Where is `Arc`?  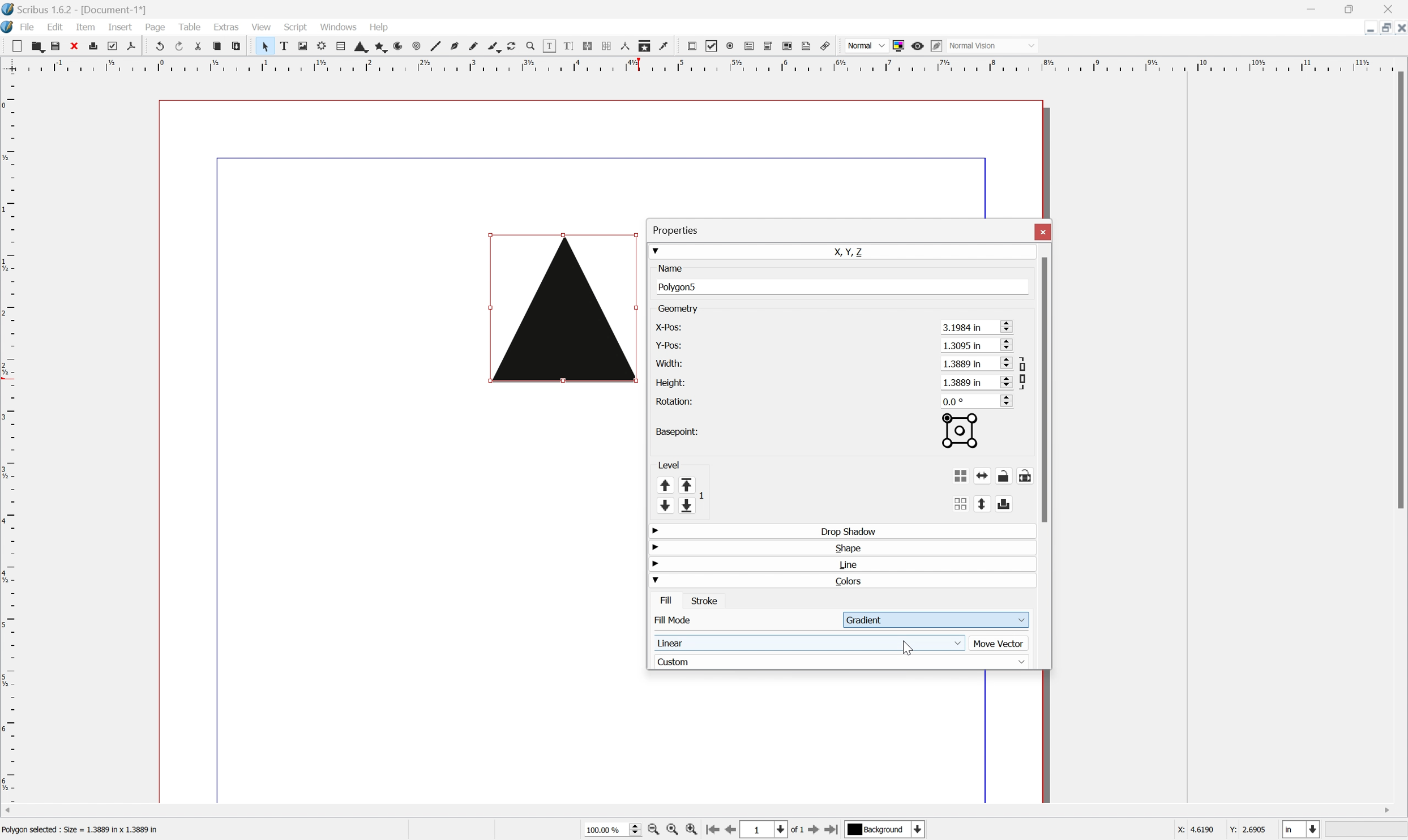
Arc is located at coordinates (395, 46).